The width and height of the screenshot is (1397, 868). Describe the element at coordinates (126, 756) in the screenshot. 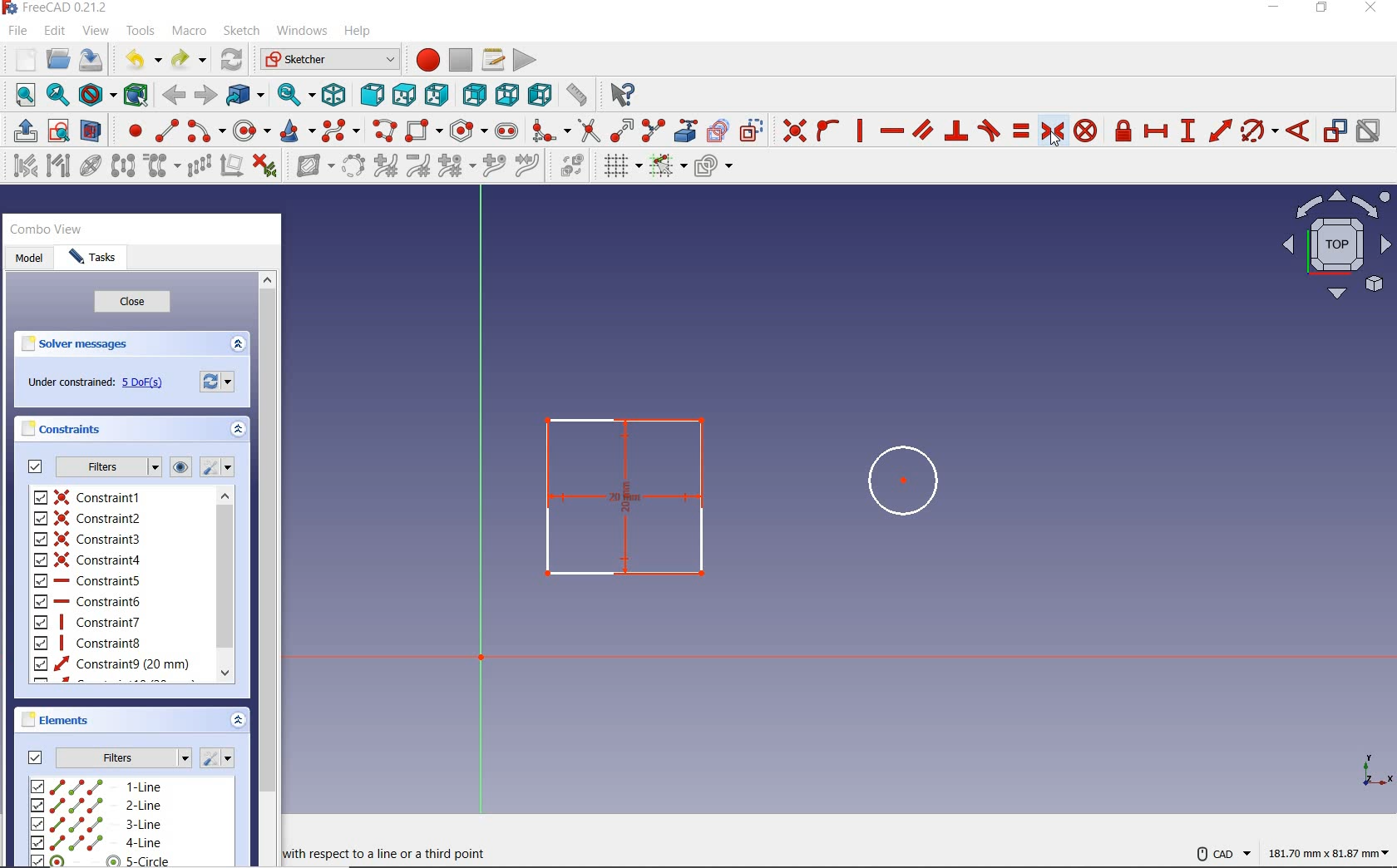

I see `Filters` at that location.